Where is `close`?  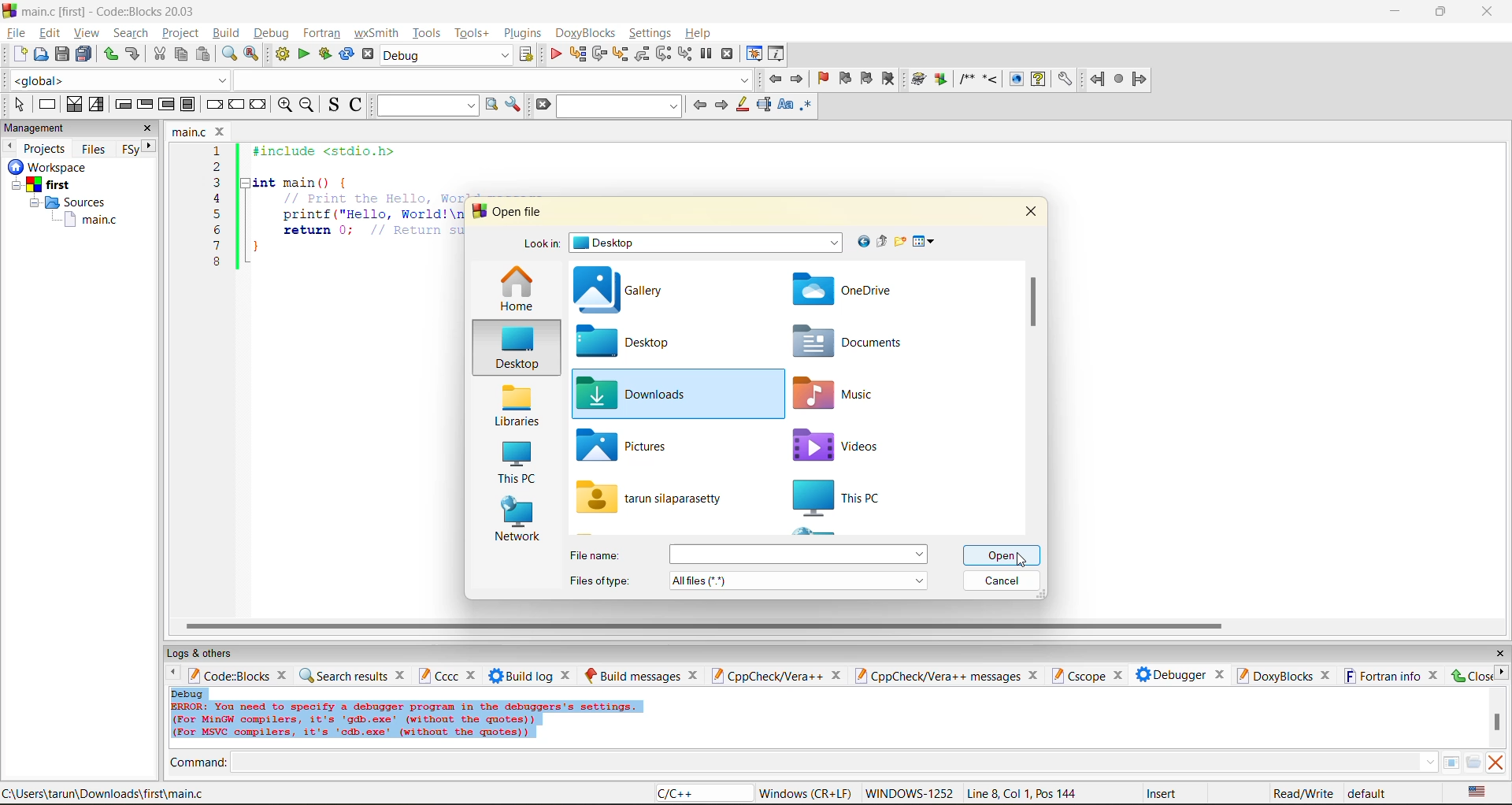 close is located at coordinates (148, 128).